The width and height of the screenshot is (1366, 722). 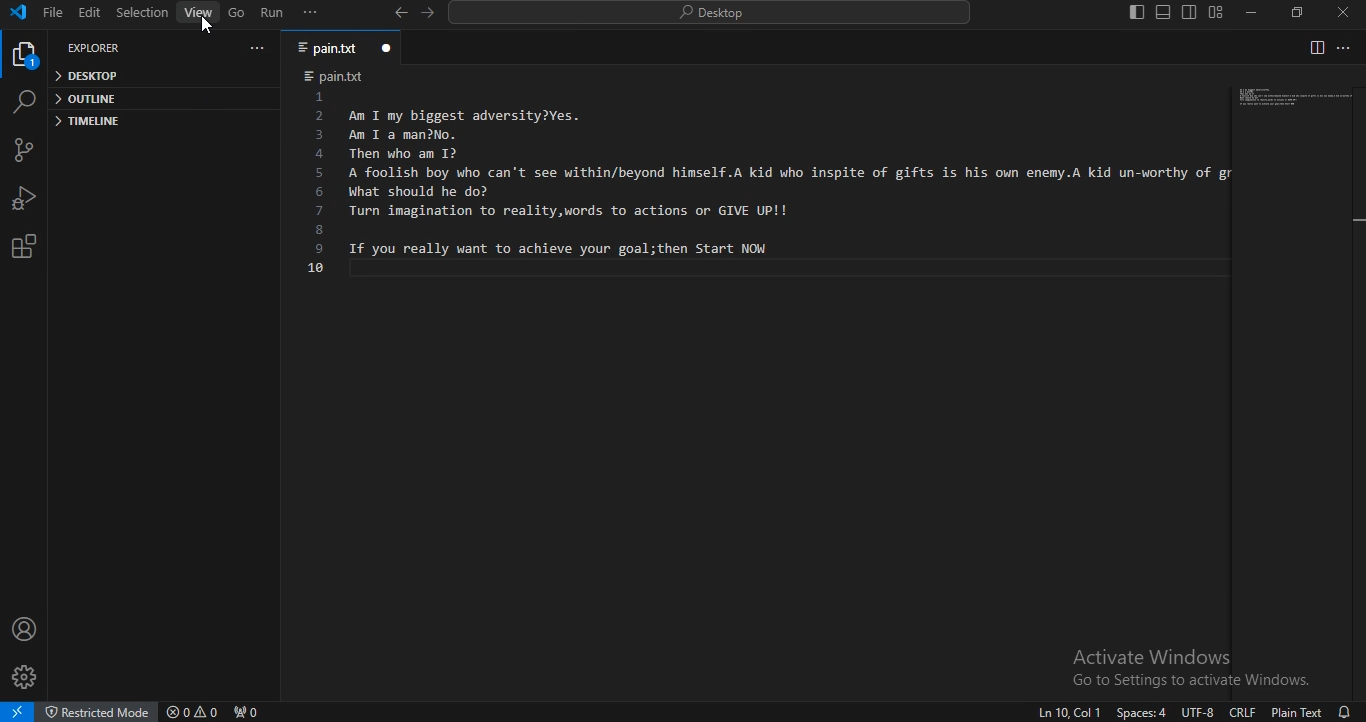 I want to click on search, so click(x=714, y=15).